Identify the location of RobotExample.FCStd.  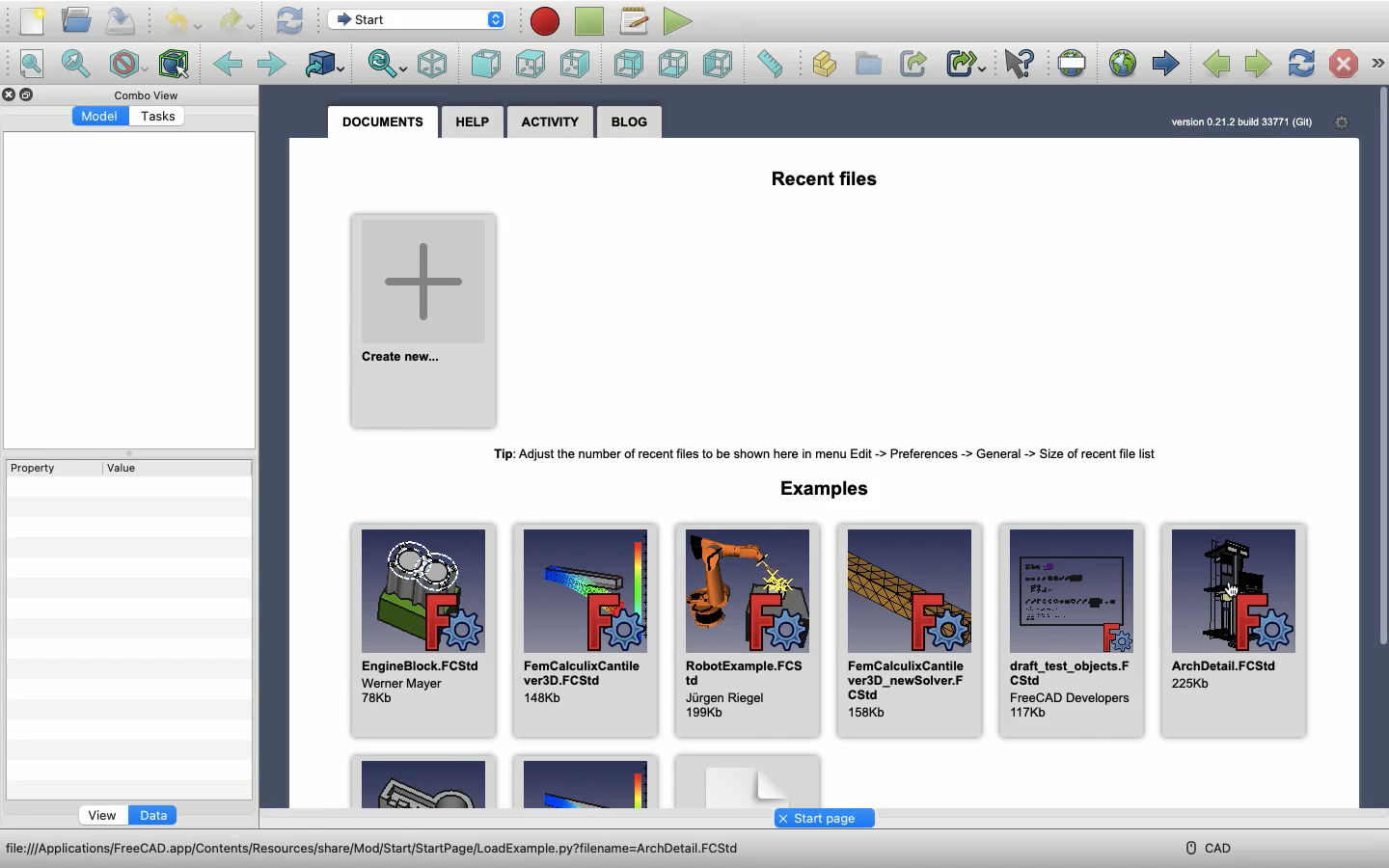
(749, 633).